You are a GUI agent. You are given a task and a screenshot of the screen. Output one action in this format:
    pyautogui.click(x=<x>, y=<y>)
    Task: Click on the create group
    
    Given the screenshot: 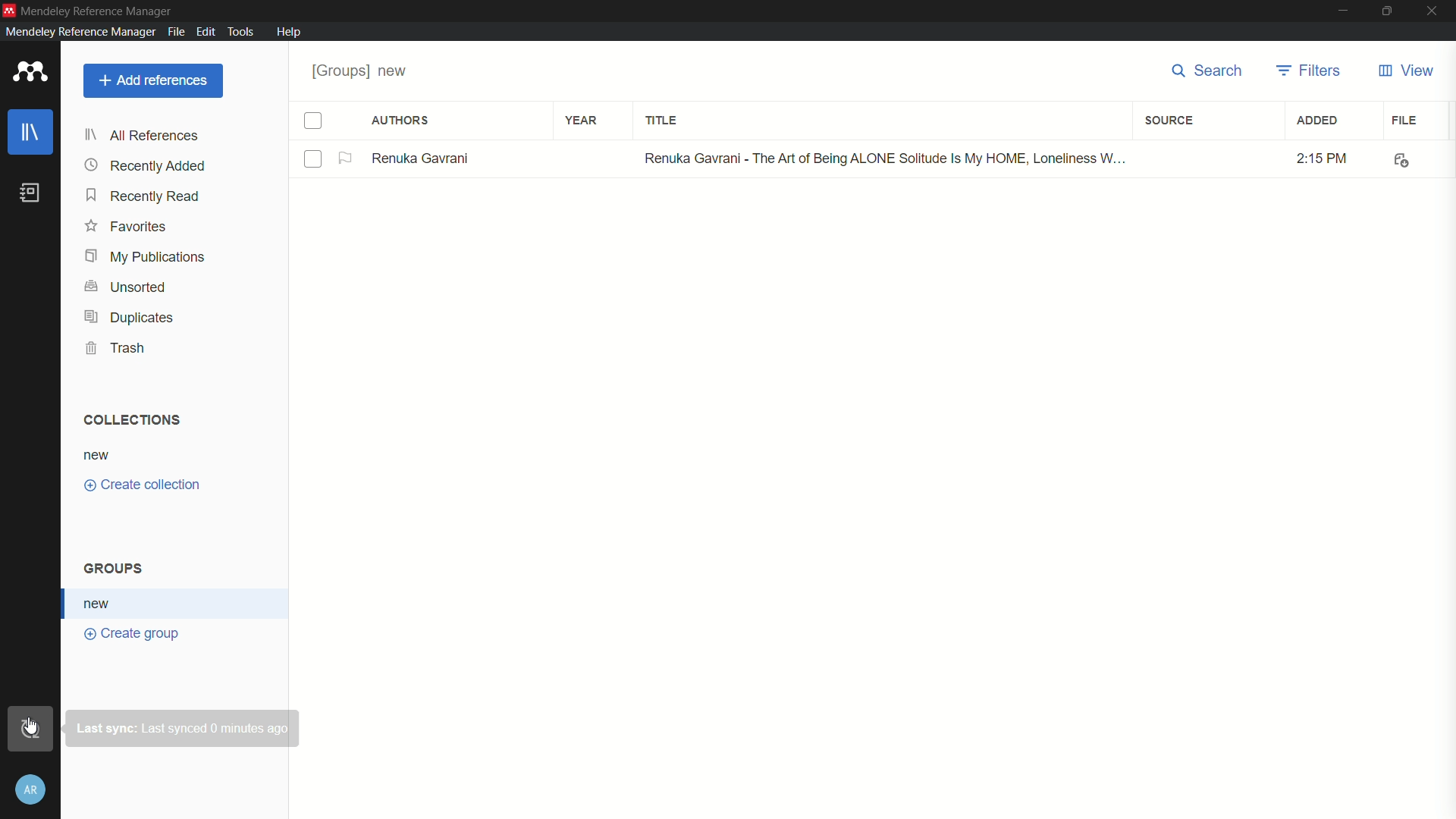 What is the action you would take?
    pyautogui.click(x=133, y=633)
    